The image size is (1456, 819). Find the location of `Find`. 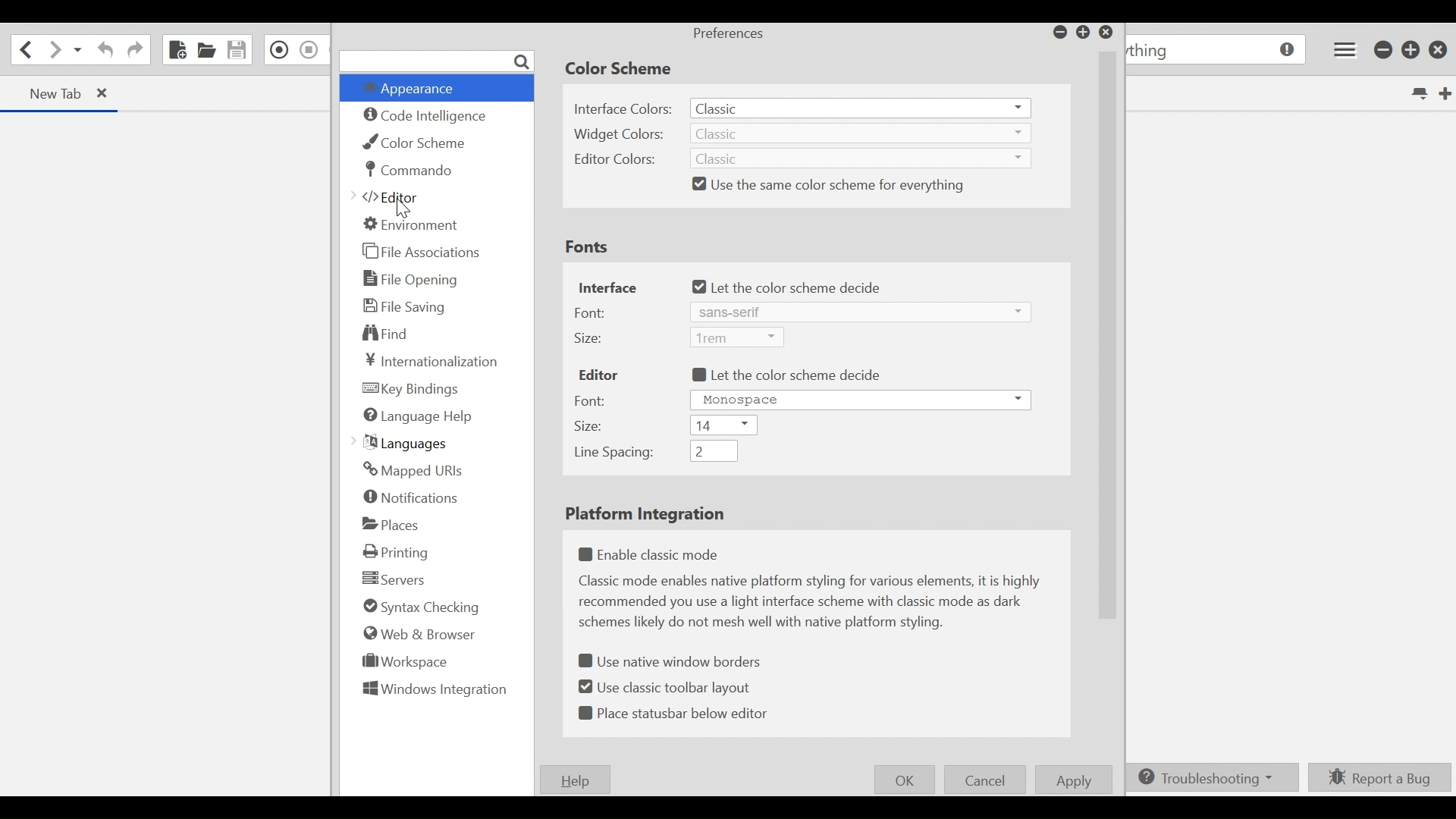

Find is located at coordinates (383, 333).